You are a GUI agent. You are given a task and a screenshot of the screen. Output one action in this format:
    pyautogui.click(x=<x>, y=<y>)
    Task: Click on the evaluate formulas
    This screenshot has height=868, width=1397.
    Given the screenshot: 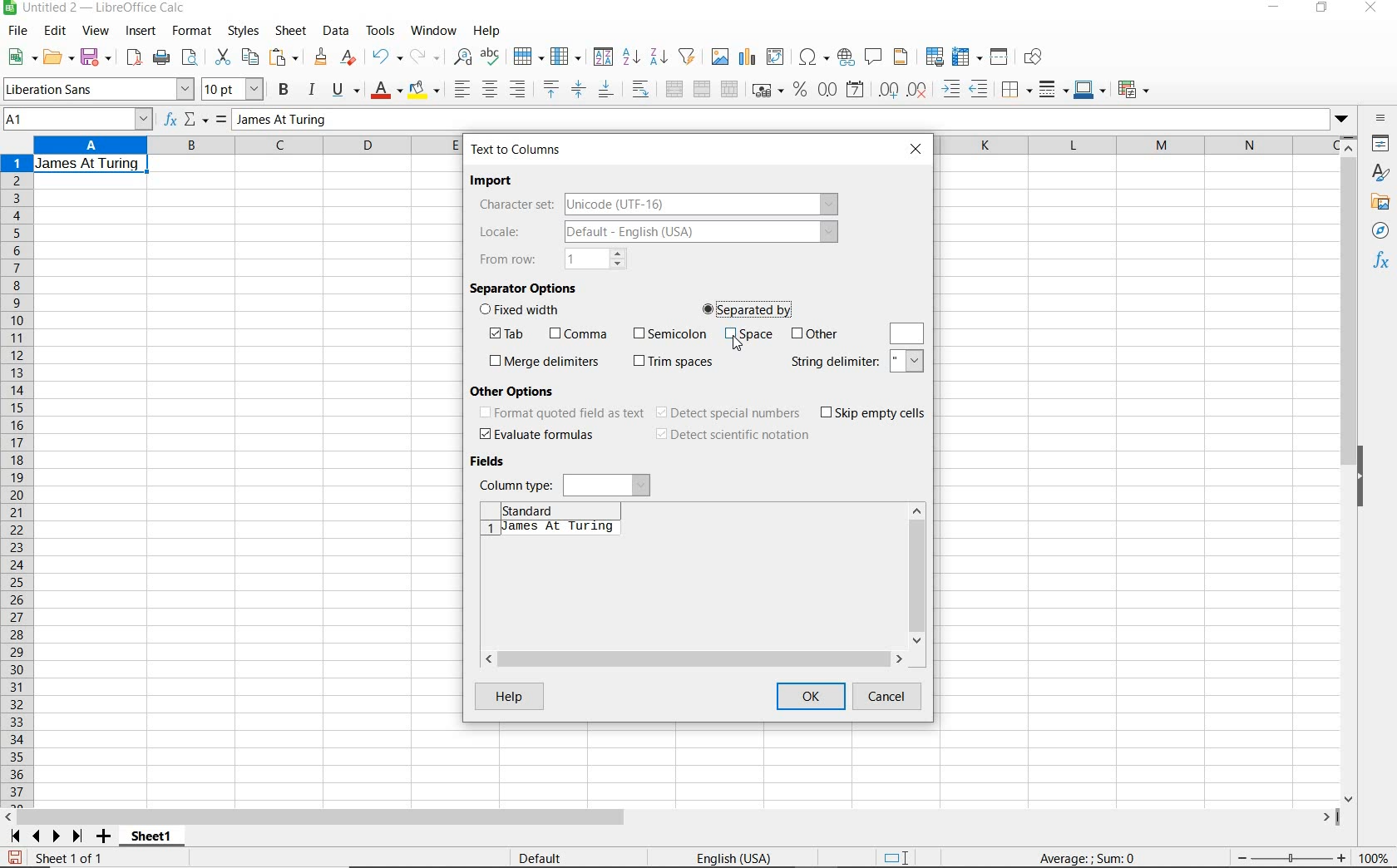 What is the action you would take?
    pyautogui.click(x=537, y=435)
    